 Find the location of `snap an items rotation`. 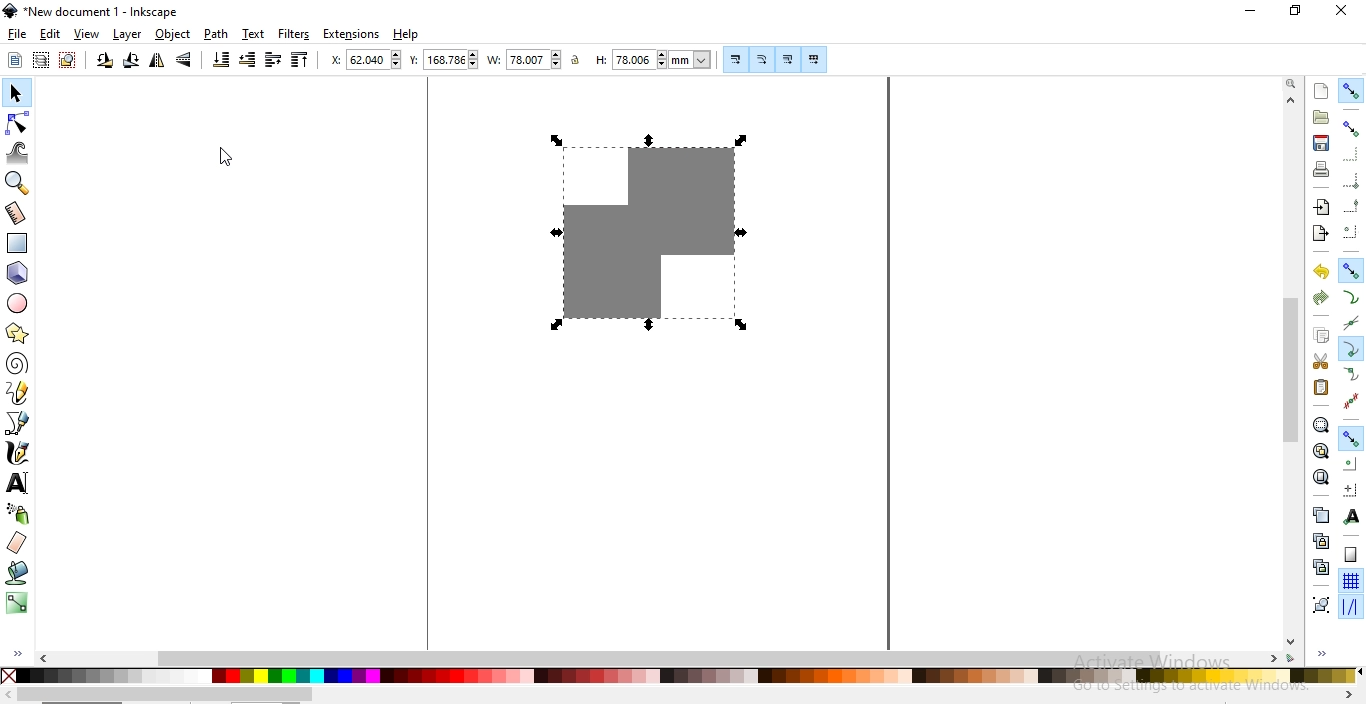

snap an items rotation is located at coordinates (1352, 490).